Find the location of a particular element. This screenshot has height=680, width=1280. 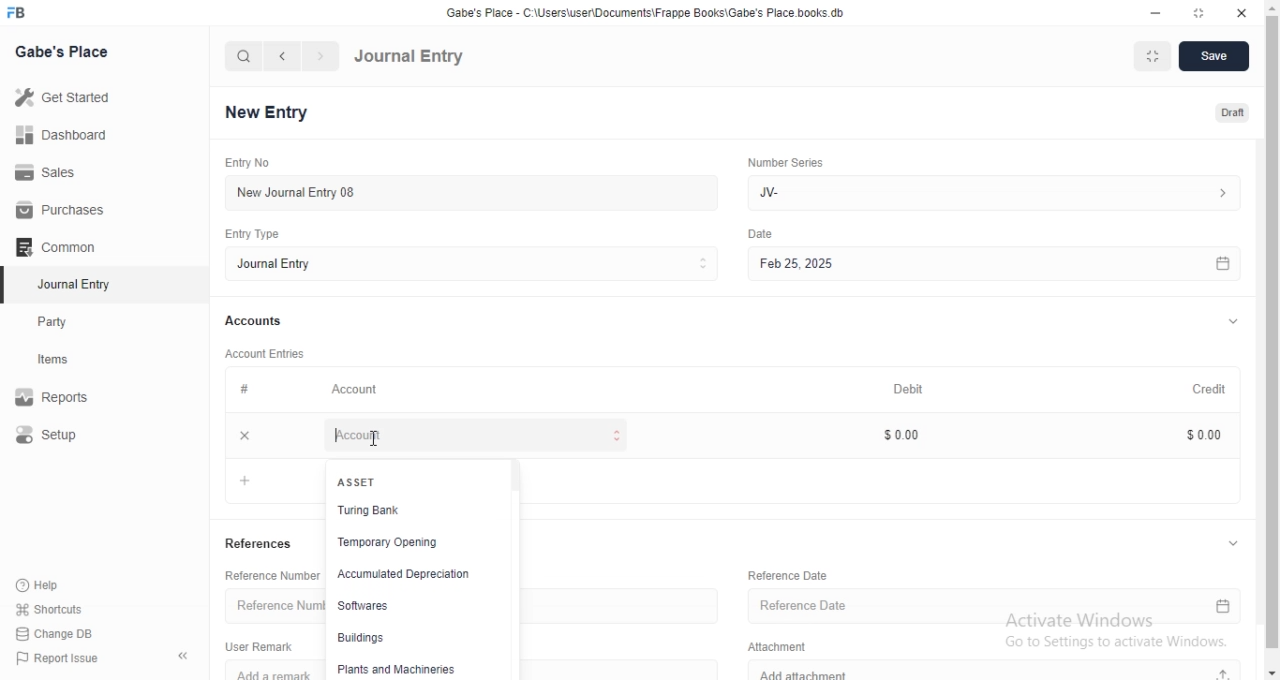

ASSET is located at coordinates (354, 481).